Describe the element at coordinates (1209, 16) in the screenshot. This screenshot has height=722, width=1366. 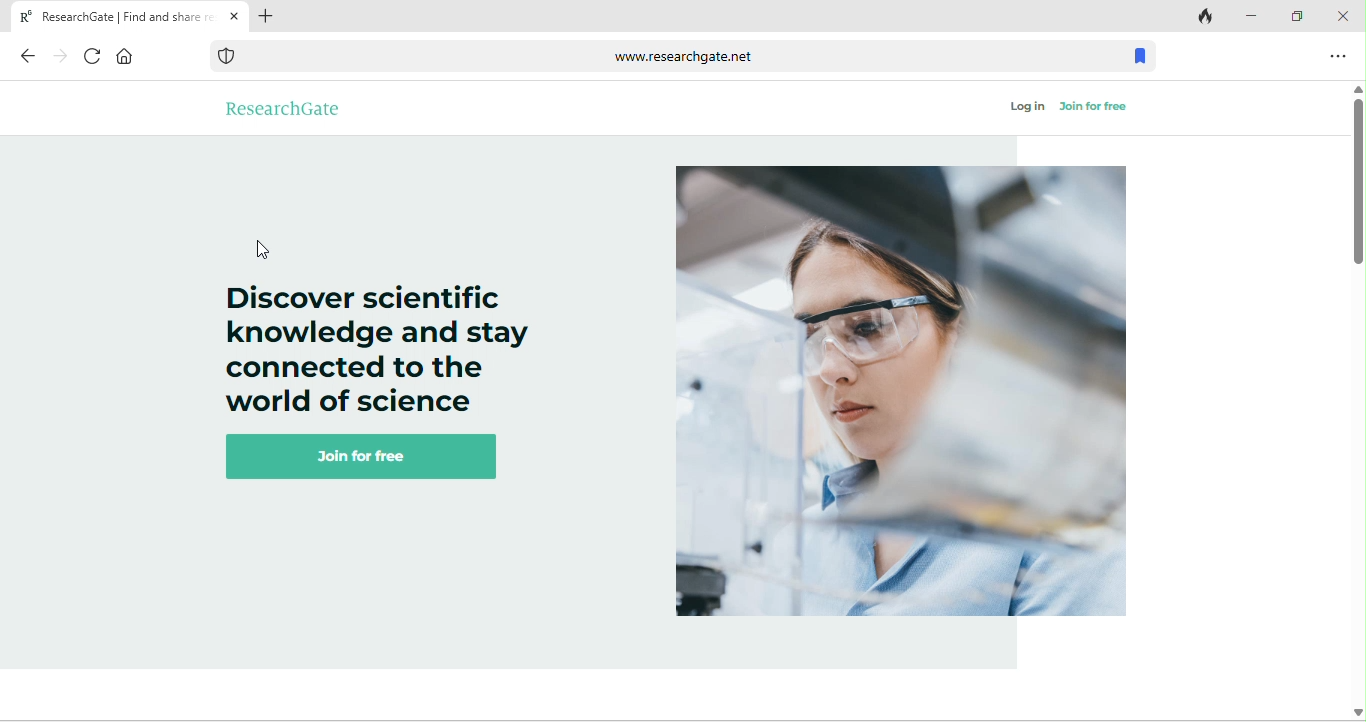
I see `track tab` at that location.